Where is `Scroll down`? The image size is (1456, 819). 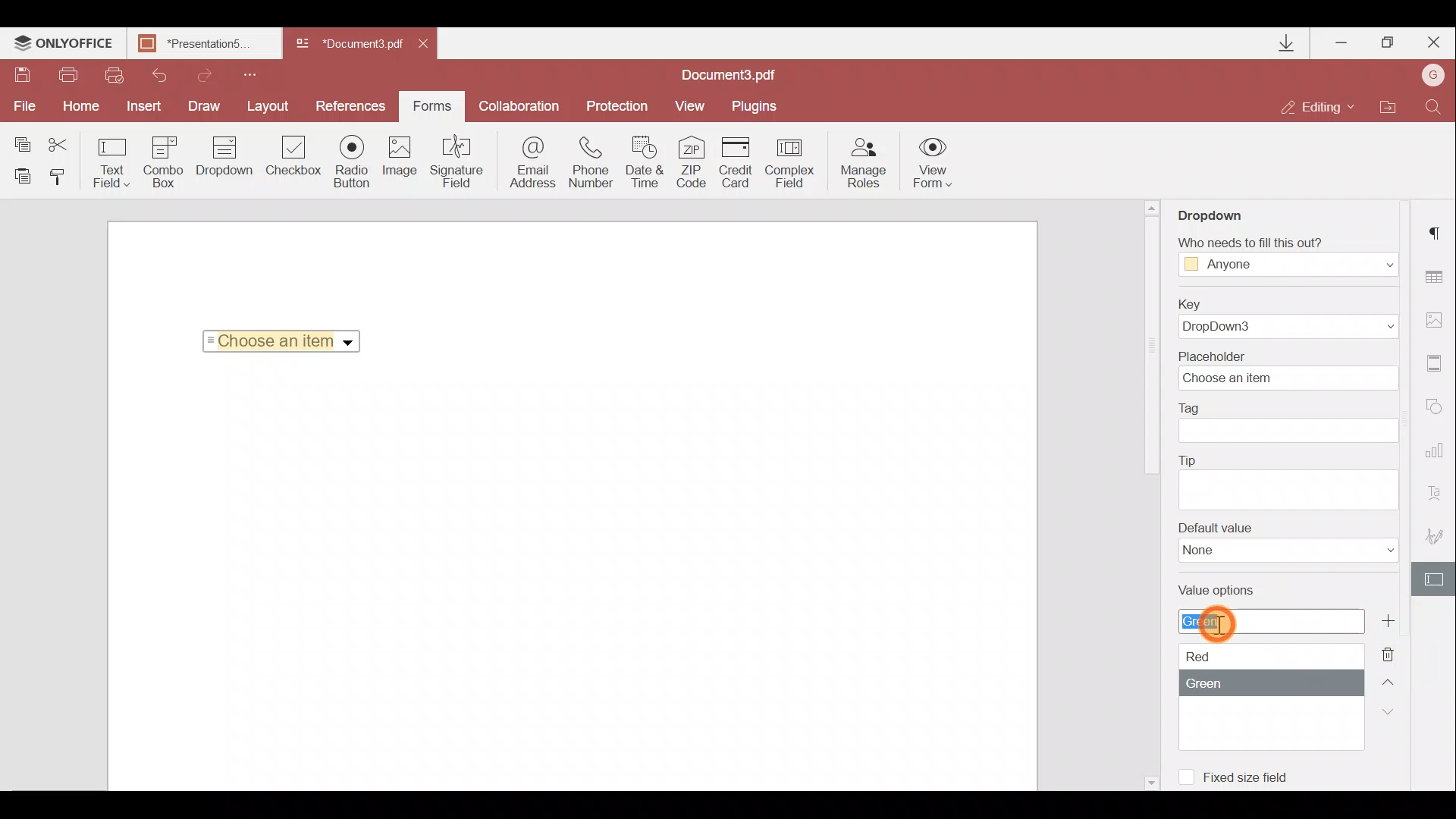
Scroll down is located at coordinates (1150, 780).